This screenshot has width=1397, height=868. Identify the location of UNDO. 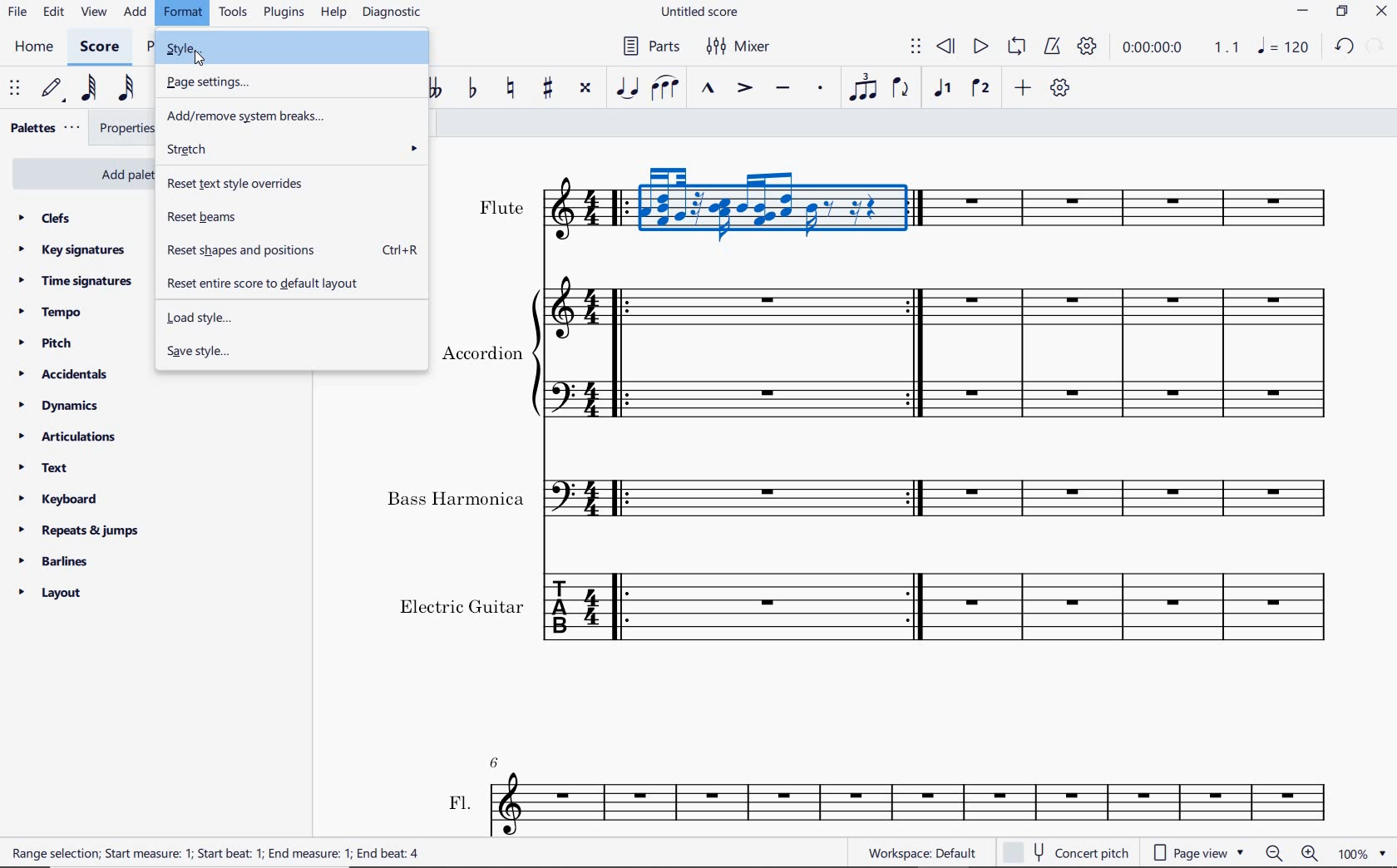
(1345, 46).